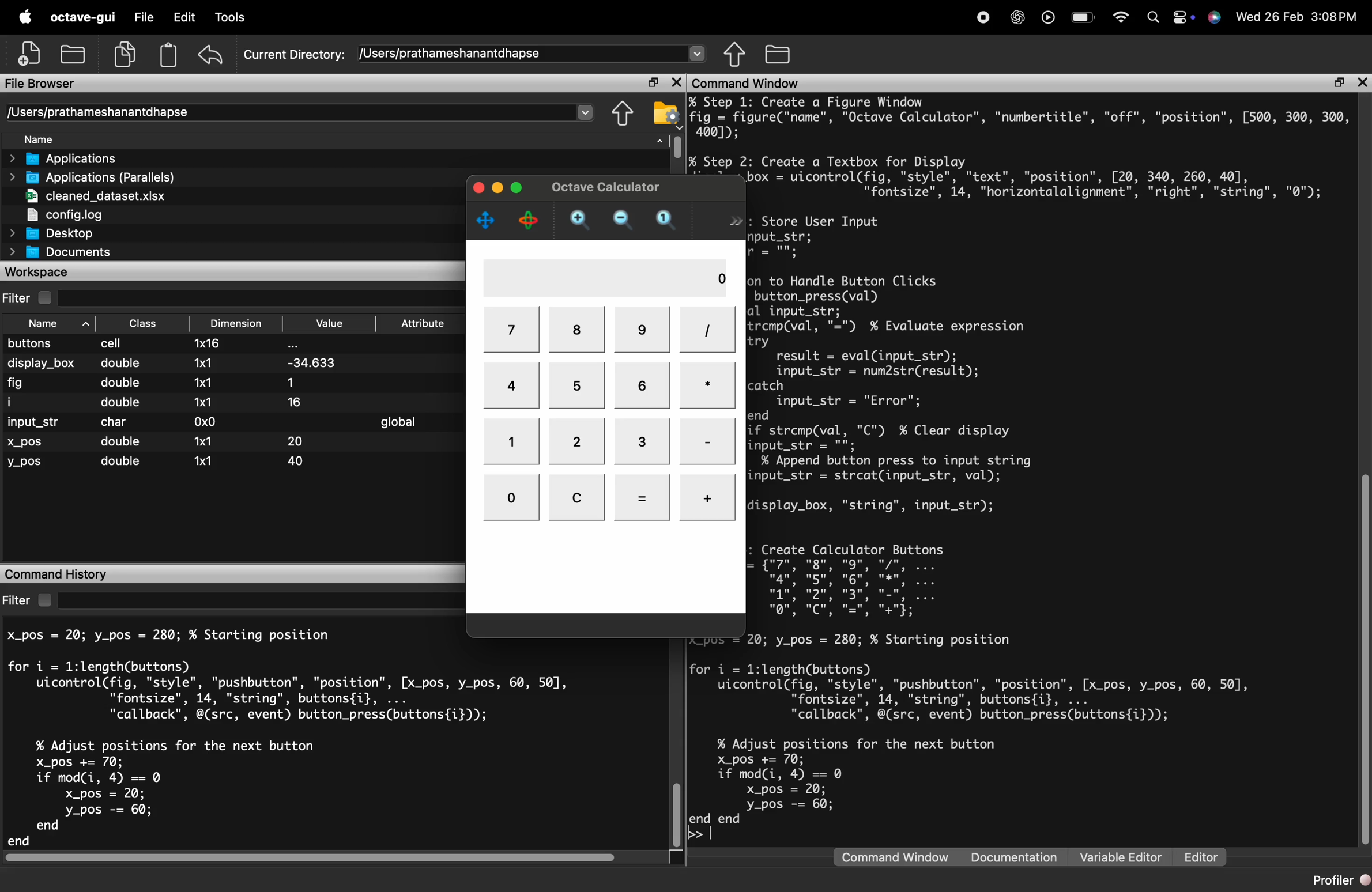 The width and height of the screenshot is (1372, 892). Describe the element at coordinates (643, 330) in the screenshot. I see `9` at that location.